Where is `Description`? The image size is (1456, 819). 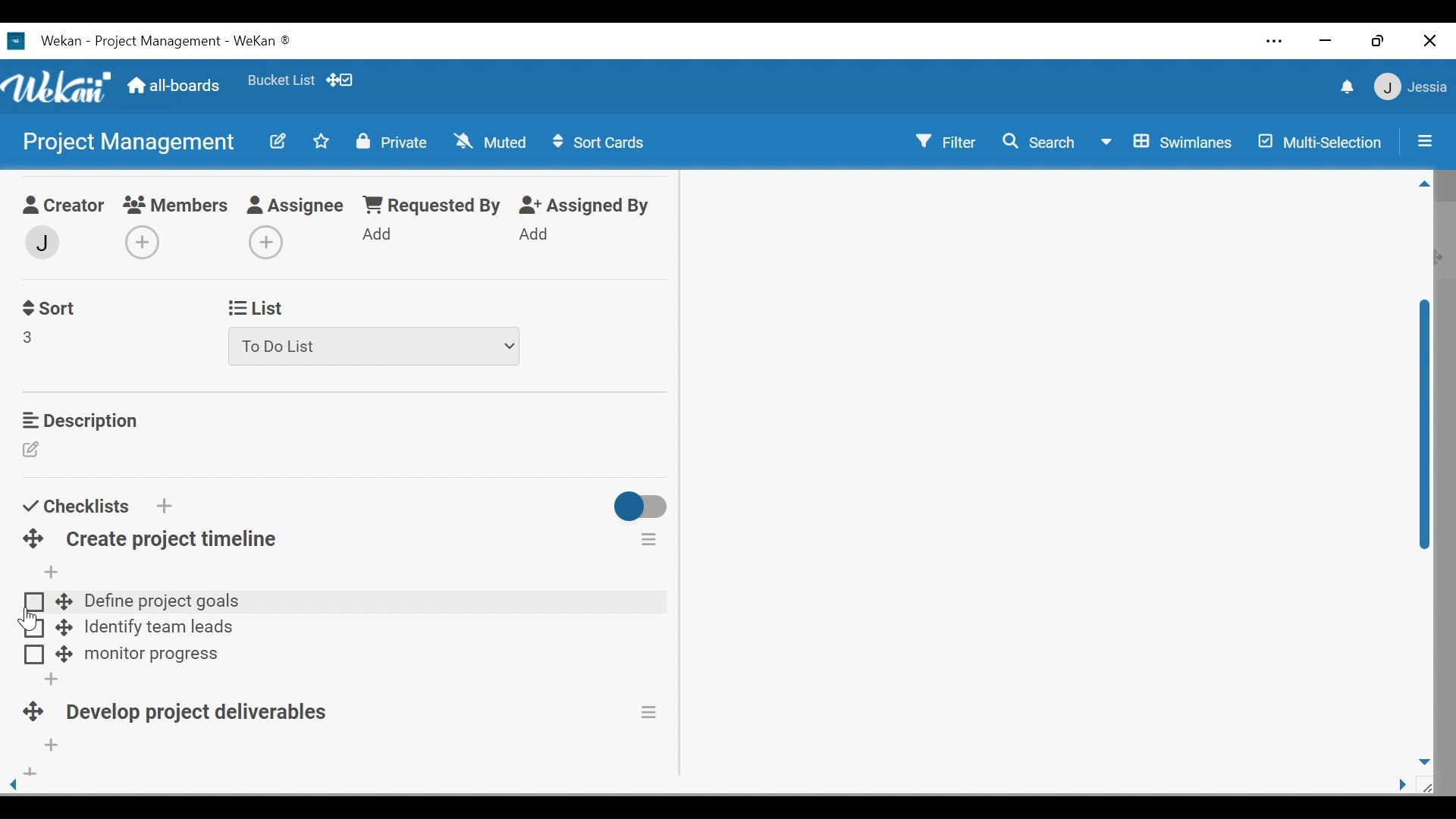 Description is located at coordinates (79, 420).